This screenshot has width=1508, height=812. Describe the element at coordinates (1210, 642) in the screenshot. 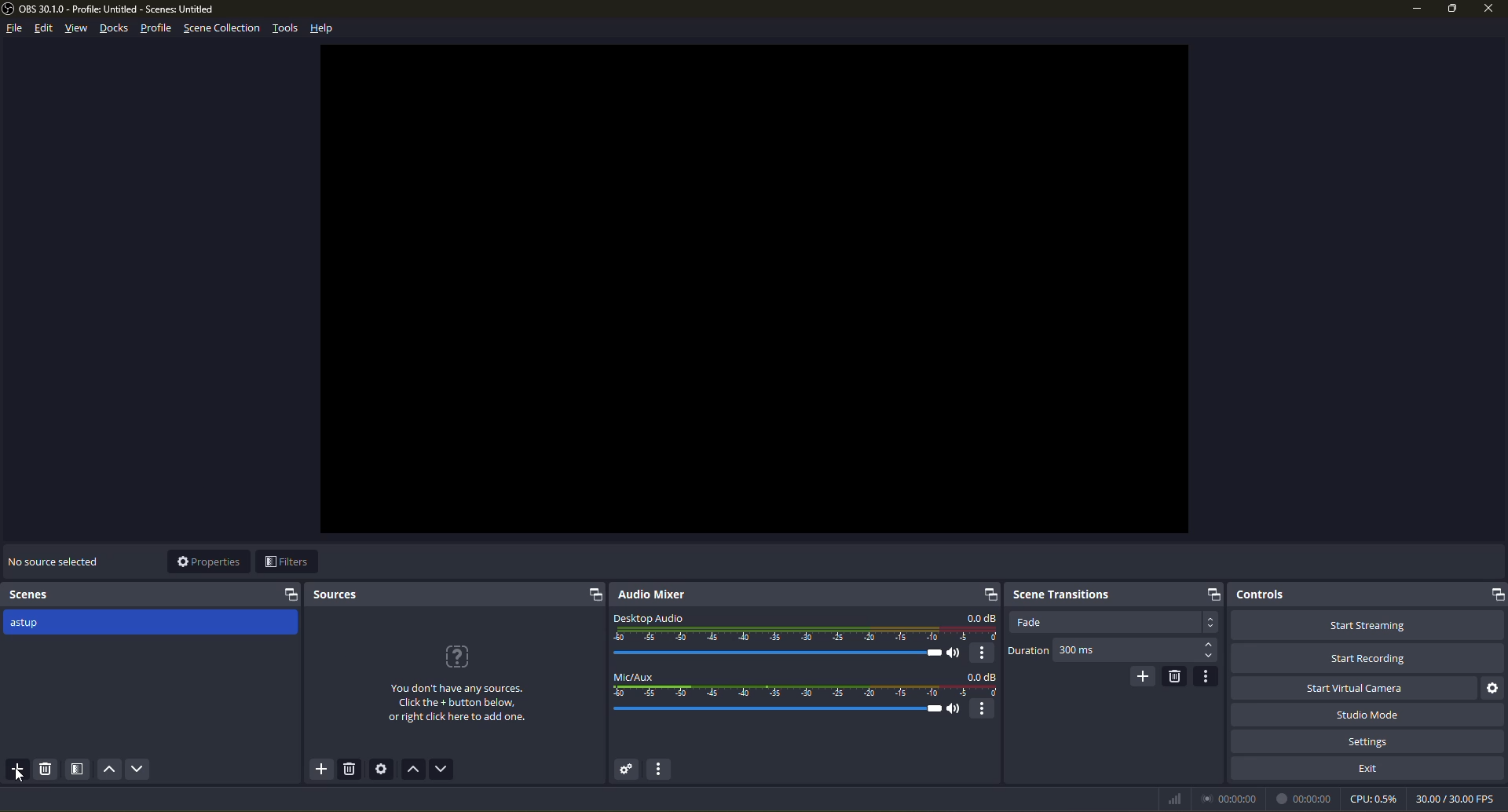

I see `select up` at that location.